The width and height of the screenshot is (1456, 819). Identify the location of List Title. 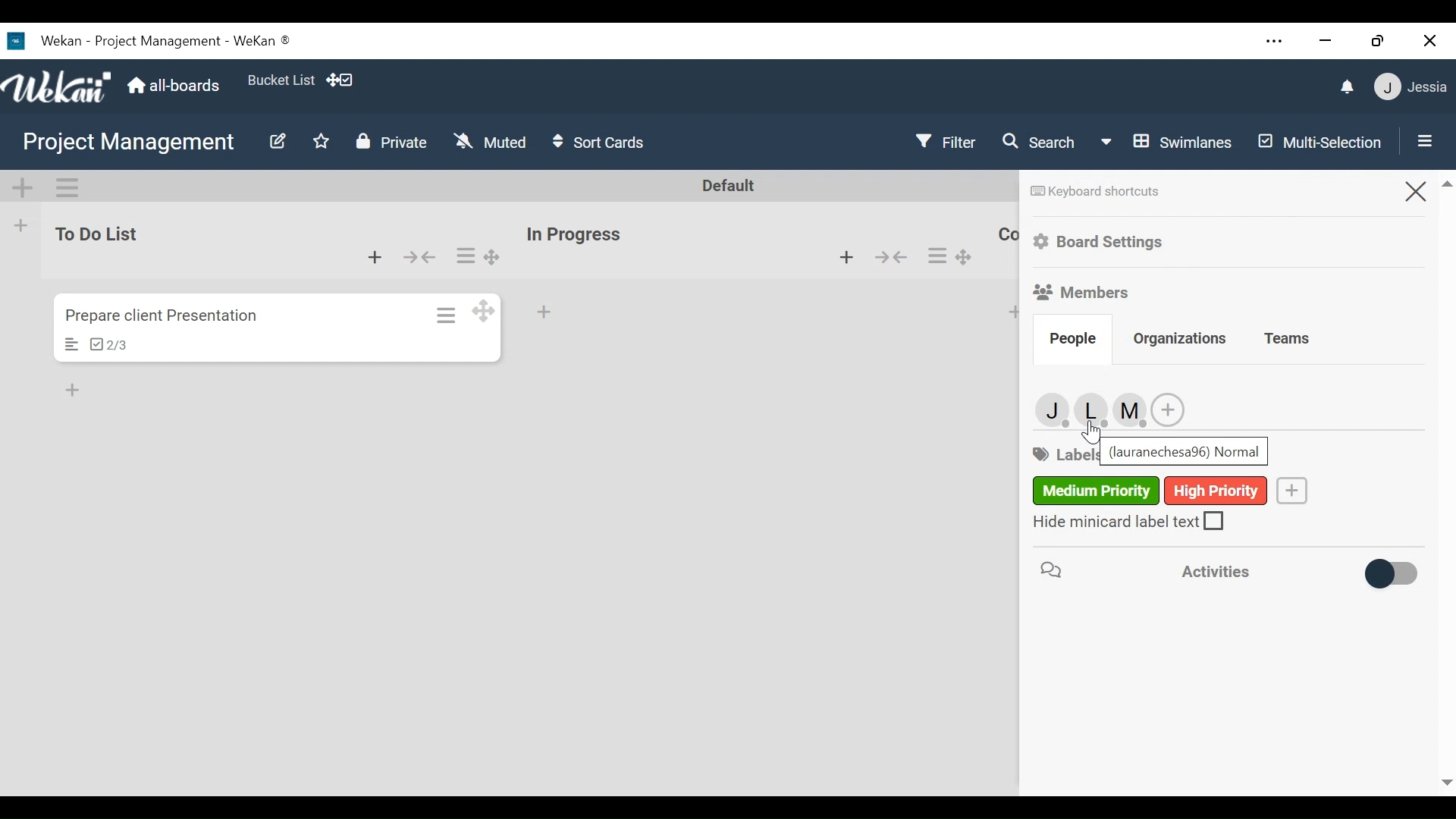
(94, 234).